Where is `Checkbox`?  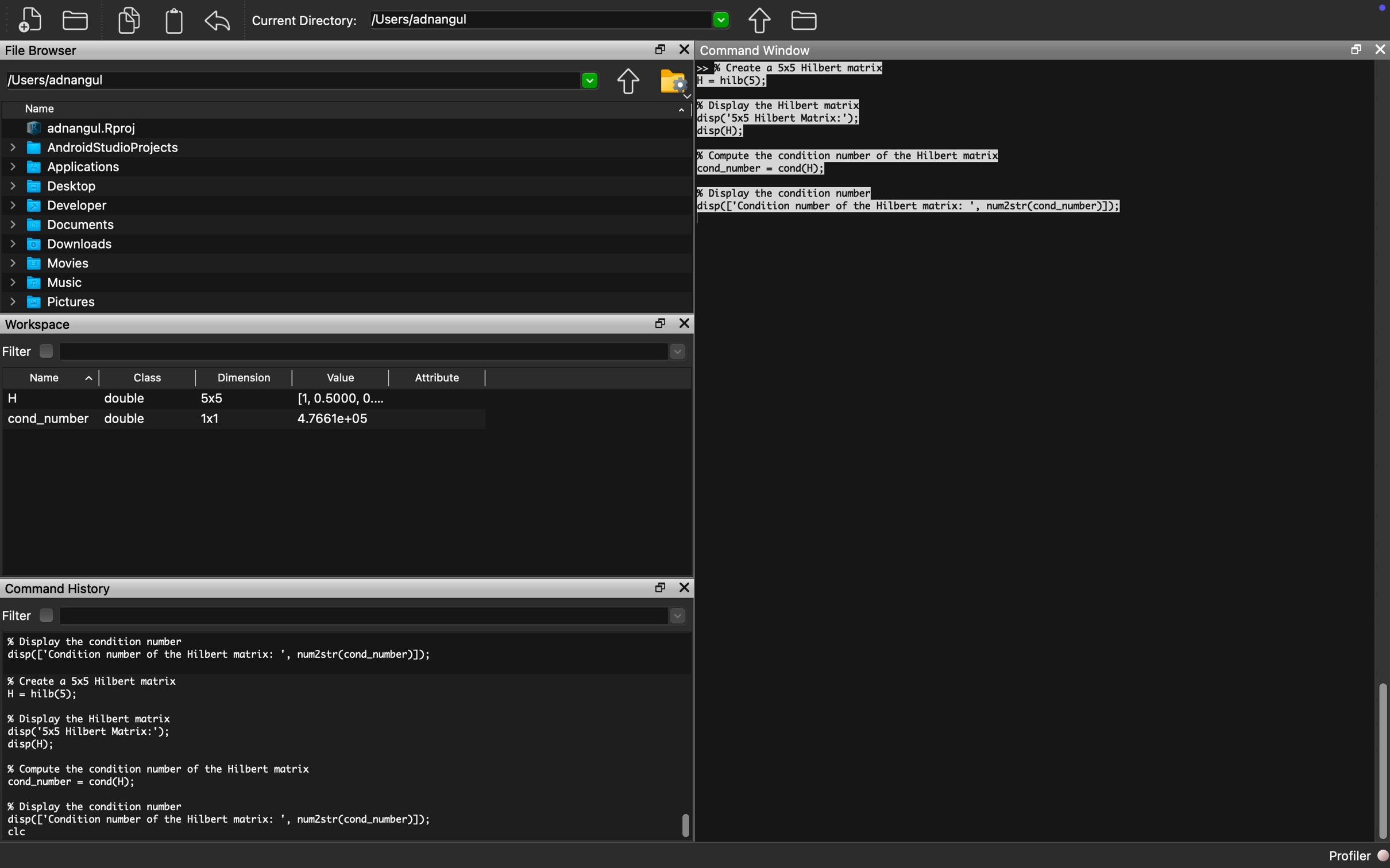
Checkbox is located at coordinates (46, 350).